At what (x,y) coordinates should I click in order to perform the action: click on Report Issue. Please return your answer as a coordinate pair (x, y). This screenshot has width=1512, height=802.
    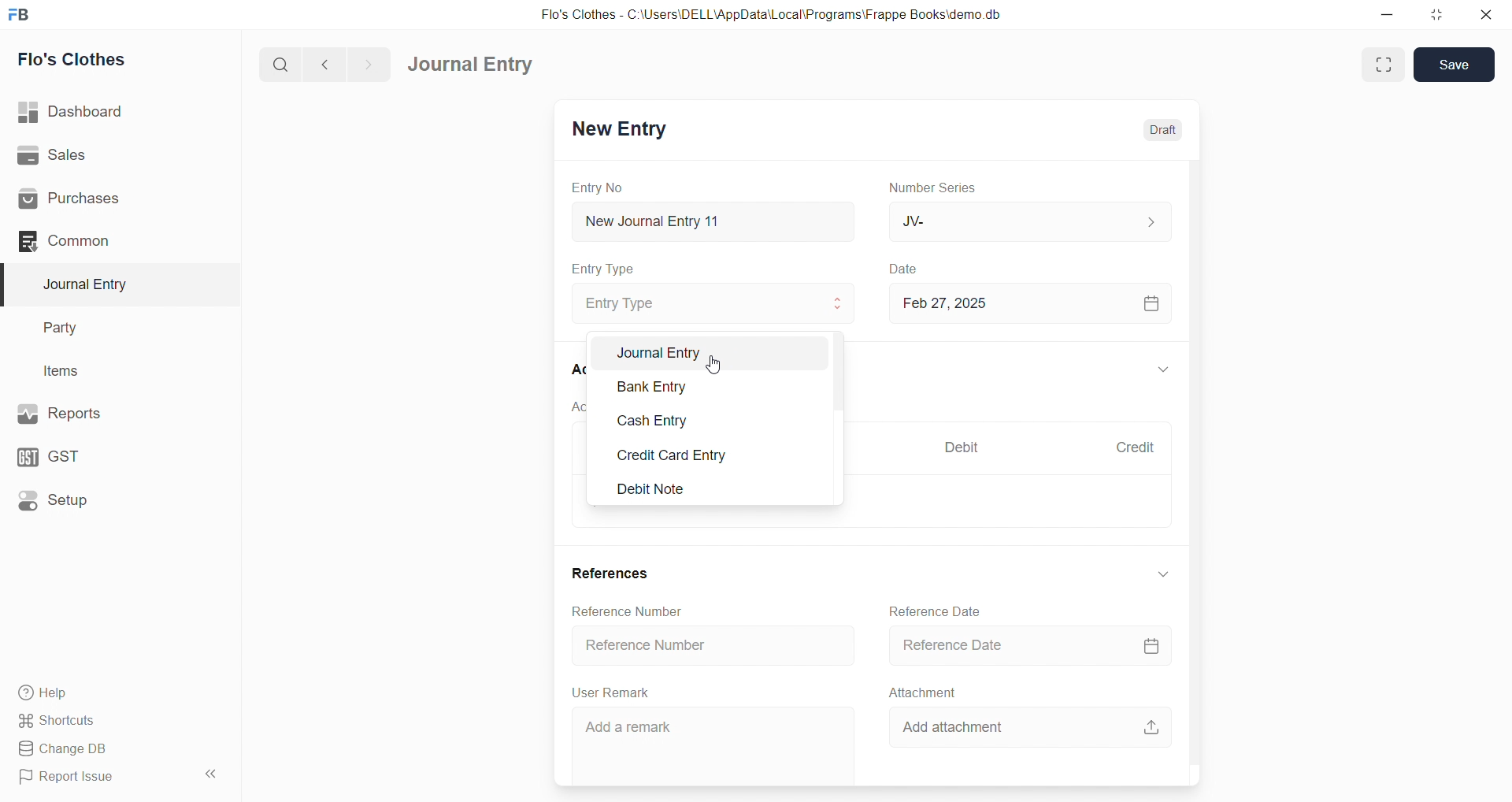
    Looking at the image, I should click on (94, 780).